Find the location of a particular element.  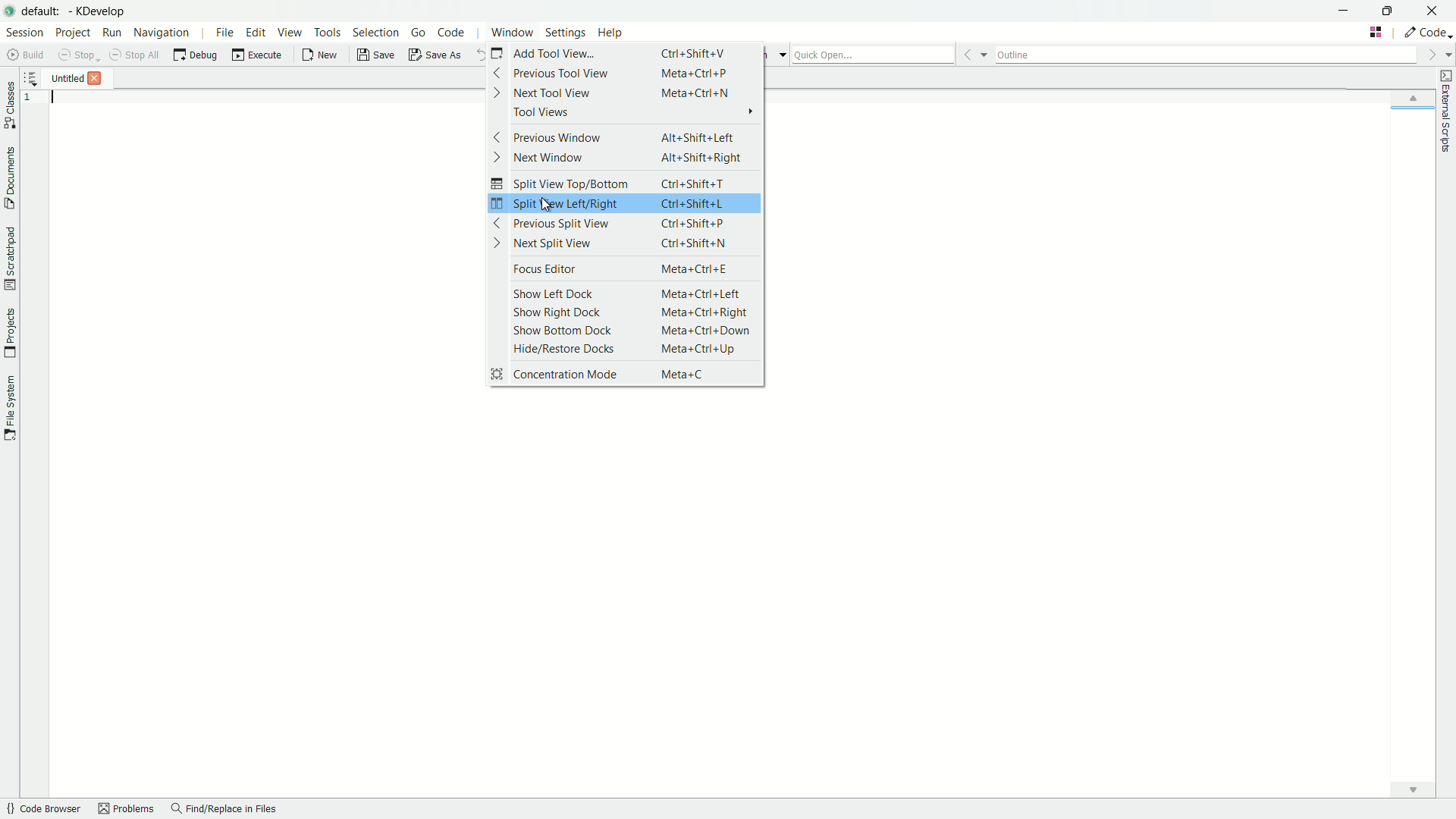

next tool view is located at coordinates (565, 92).